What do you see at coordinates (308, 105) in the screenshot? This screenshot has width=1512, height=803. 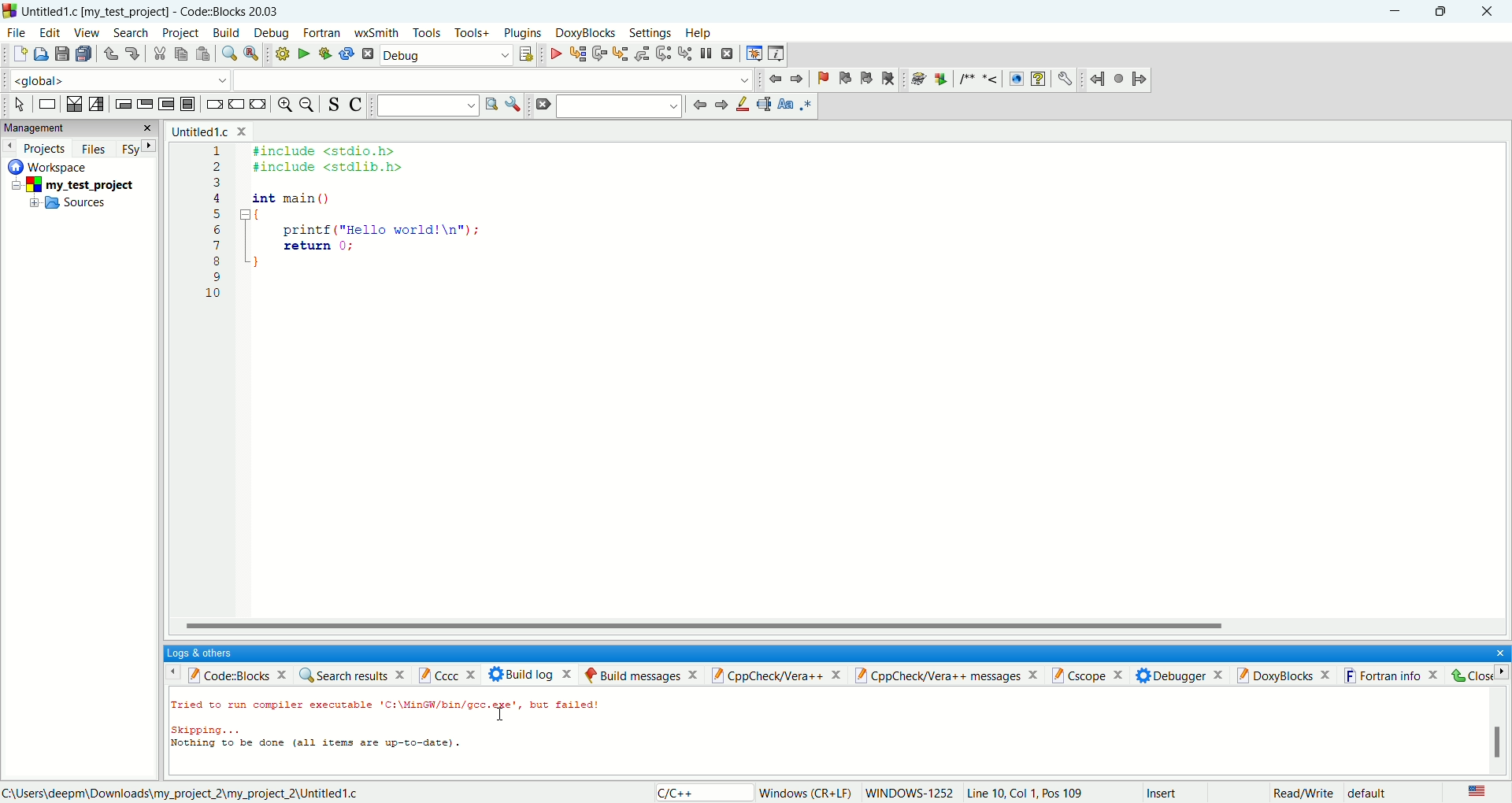 I see `zoom out` at bounding box center [308, 105].